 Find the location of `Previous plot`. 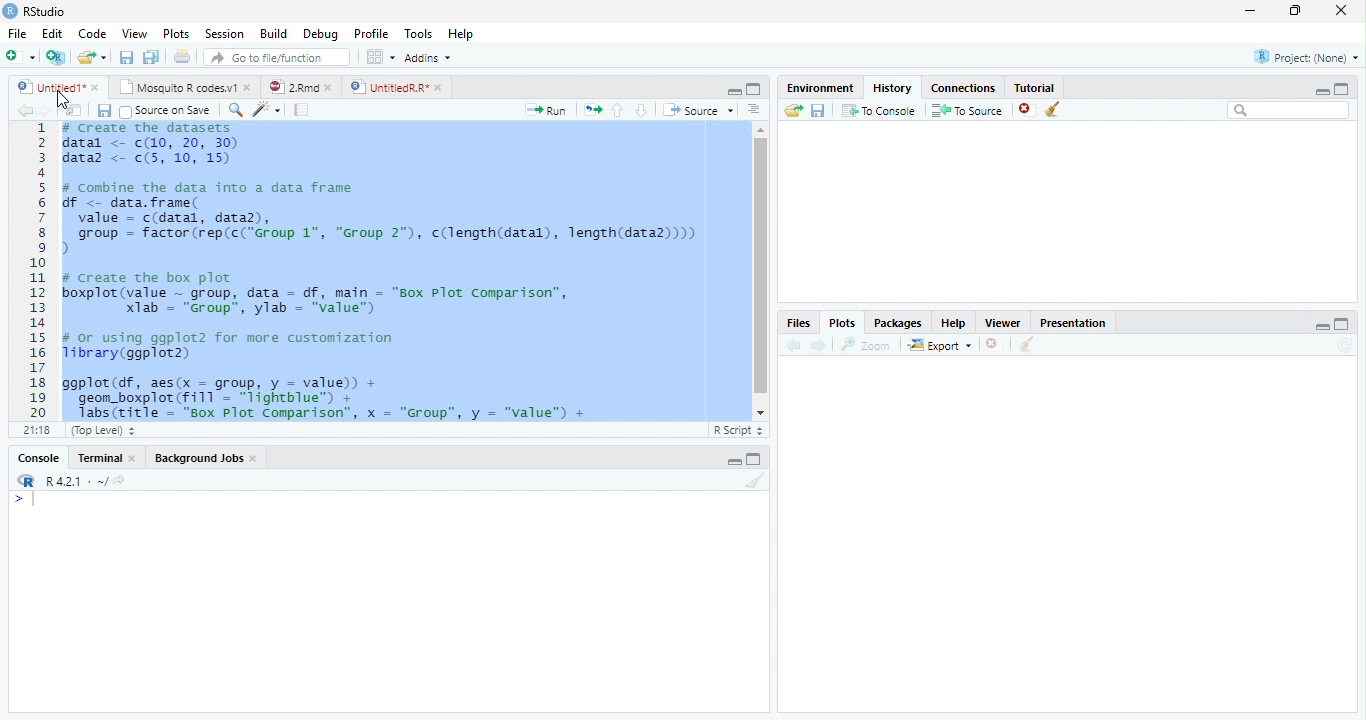

Previous plot is located at coordinates (793, 345).